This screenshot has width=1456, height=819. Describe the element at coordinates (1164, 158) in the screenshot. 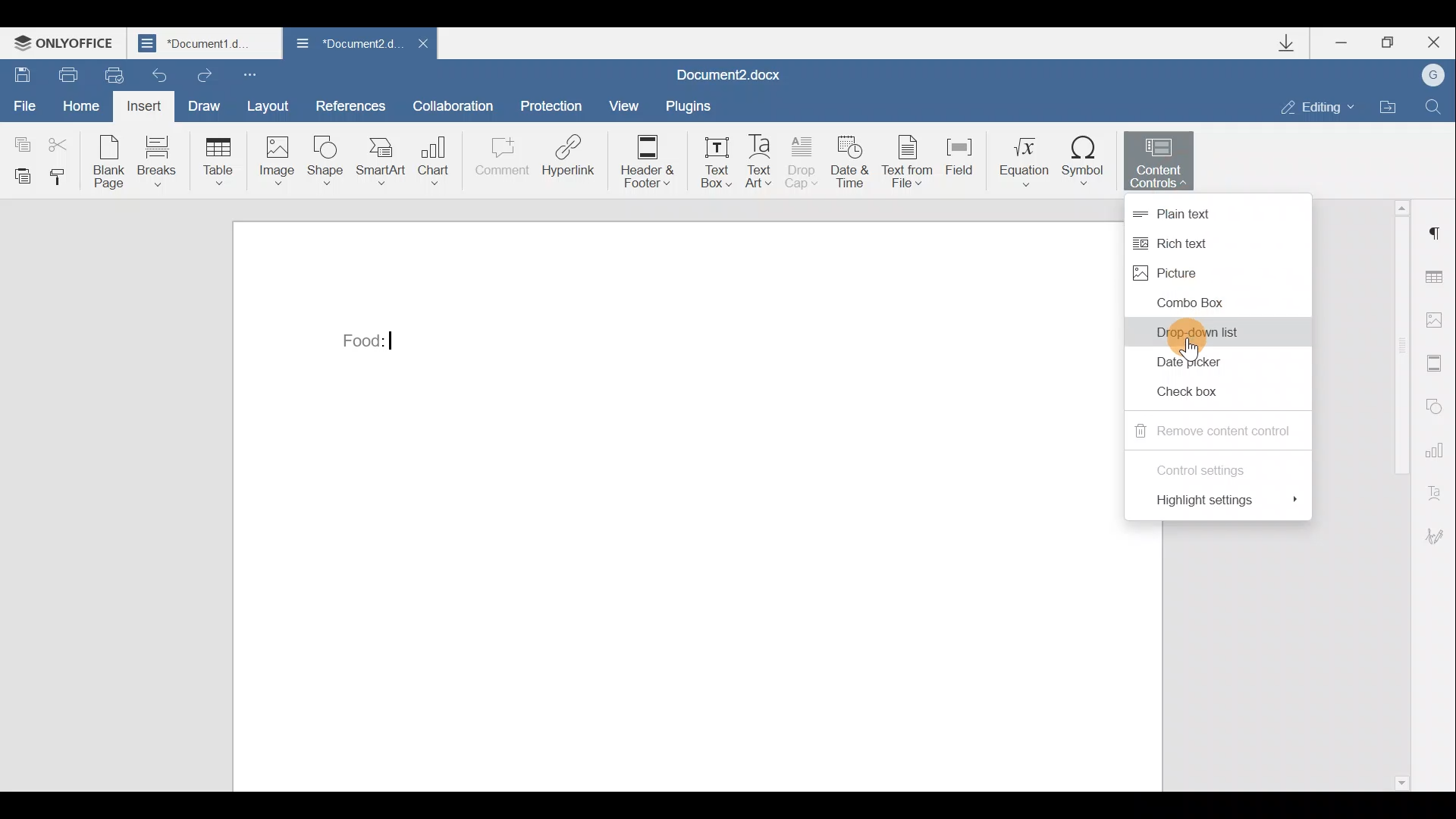

I see `Content controls` at that location.